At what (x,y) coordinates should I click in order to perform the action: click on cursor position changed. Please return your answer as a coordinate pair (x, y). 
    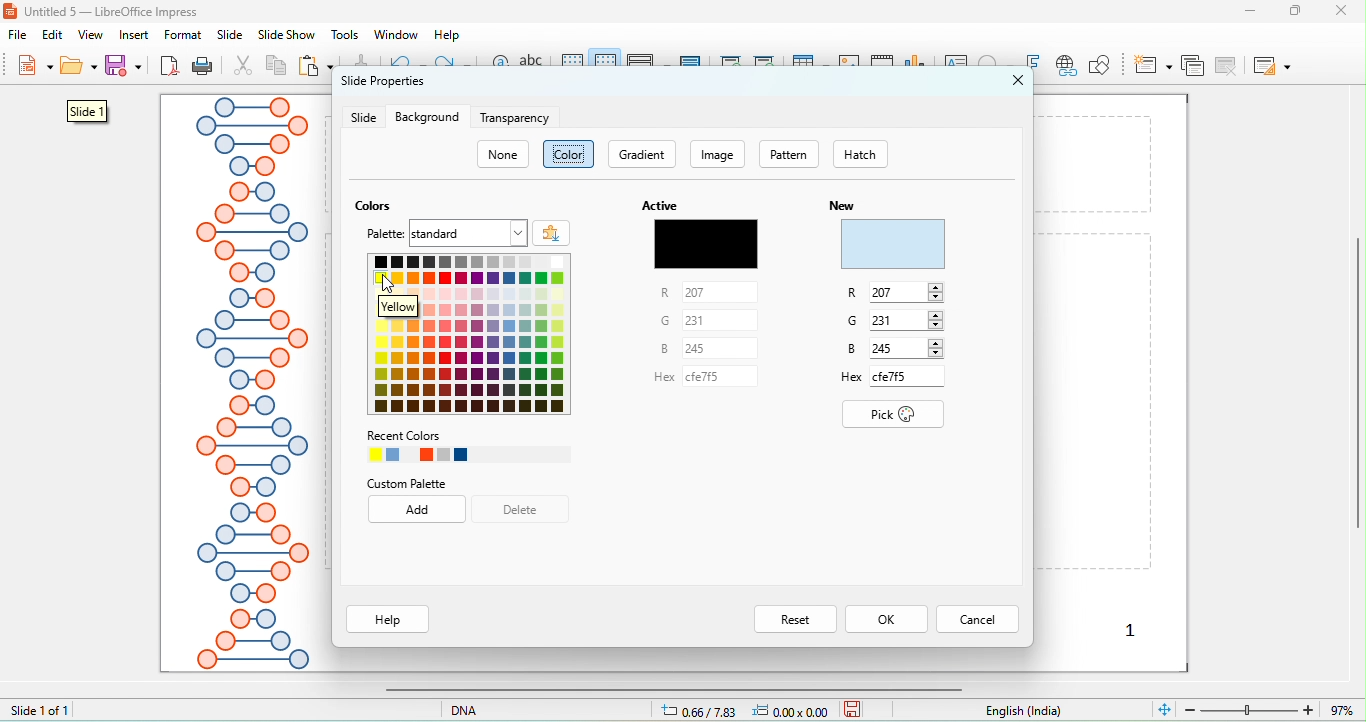
    Looking at the image, I should click on (750, 710).